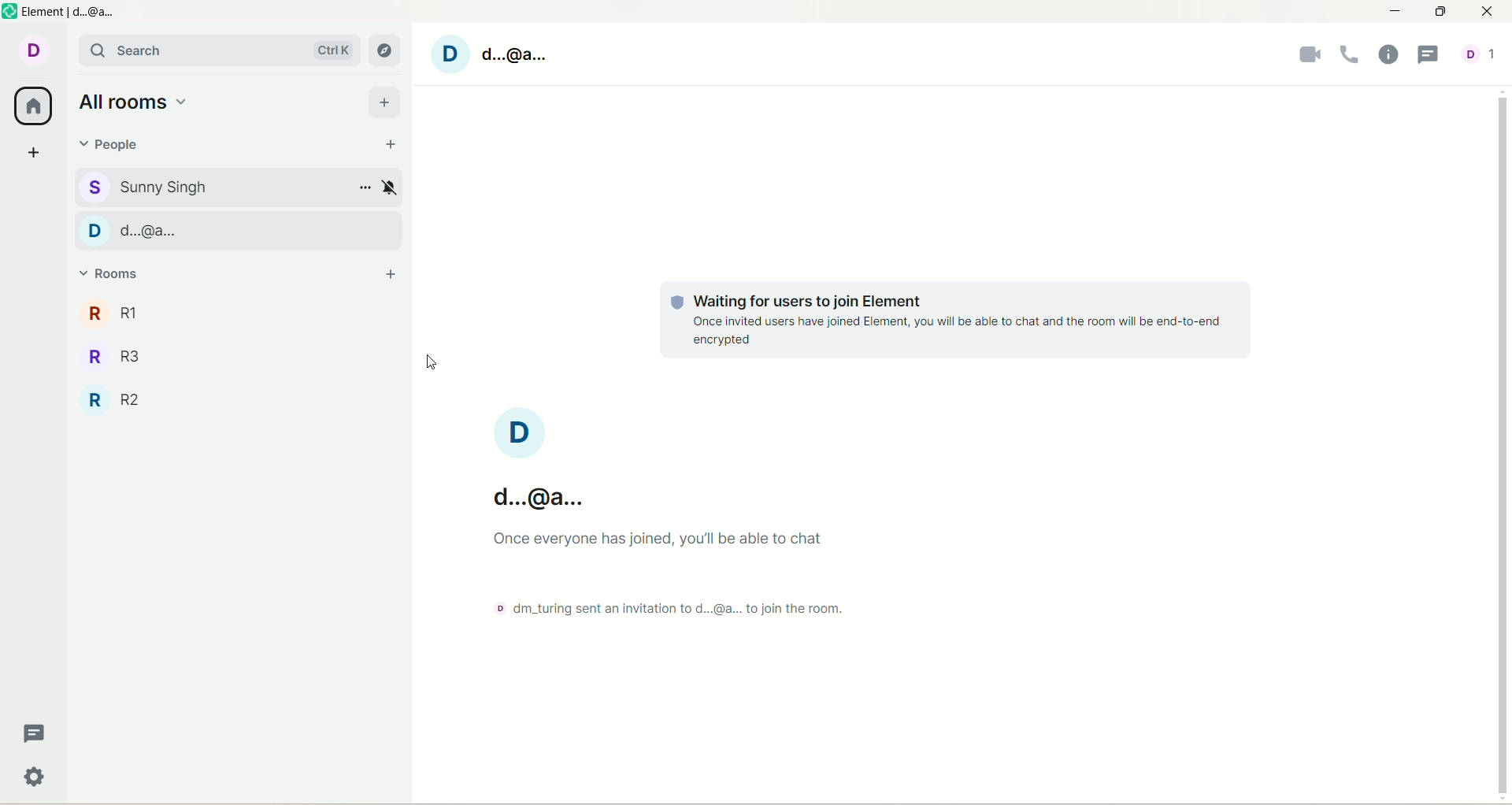 The height and width of the screenshot is (805, 1512). What do you see at coordinates (10, 12) in the screenshot?
I see `logo` at bounding box center [10, 12].